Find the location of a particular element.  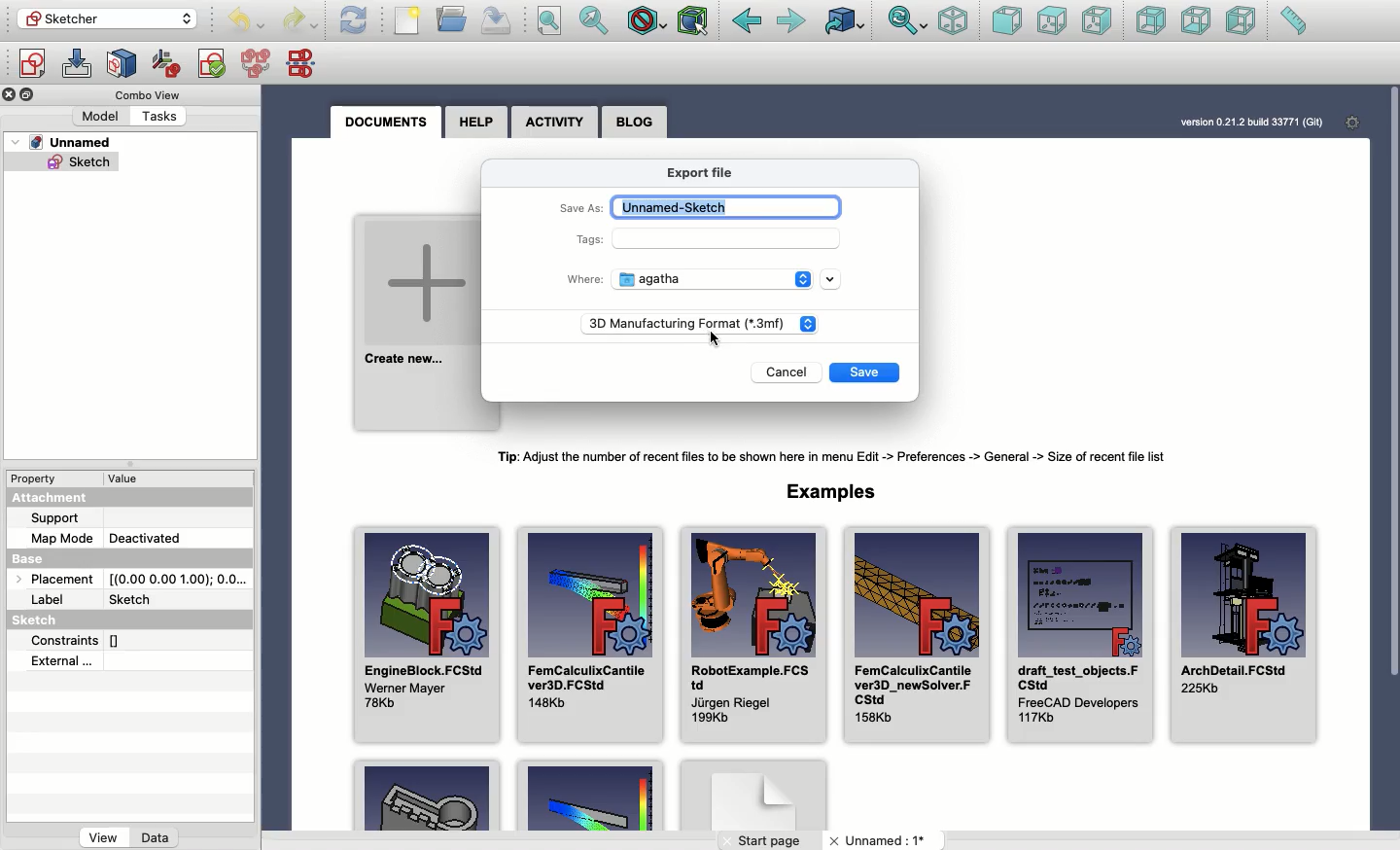

Tip: Adjust the number of recent files to be shown here in menu Edit -> Preferences -> General -> Size of recent fle list is located at coordinates (842, 457).